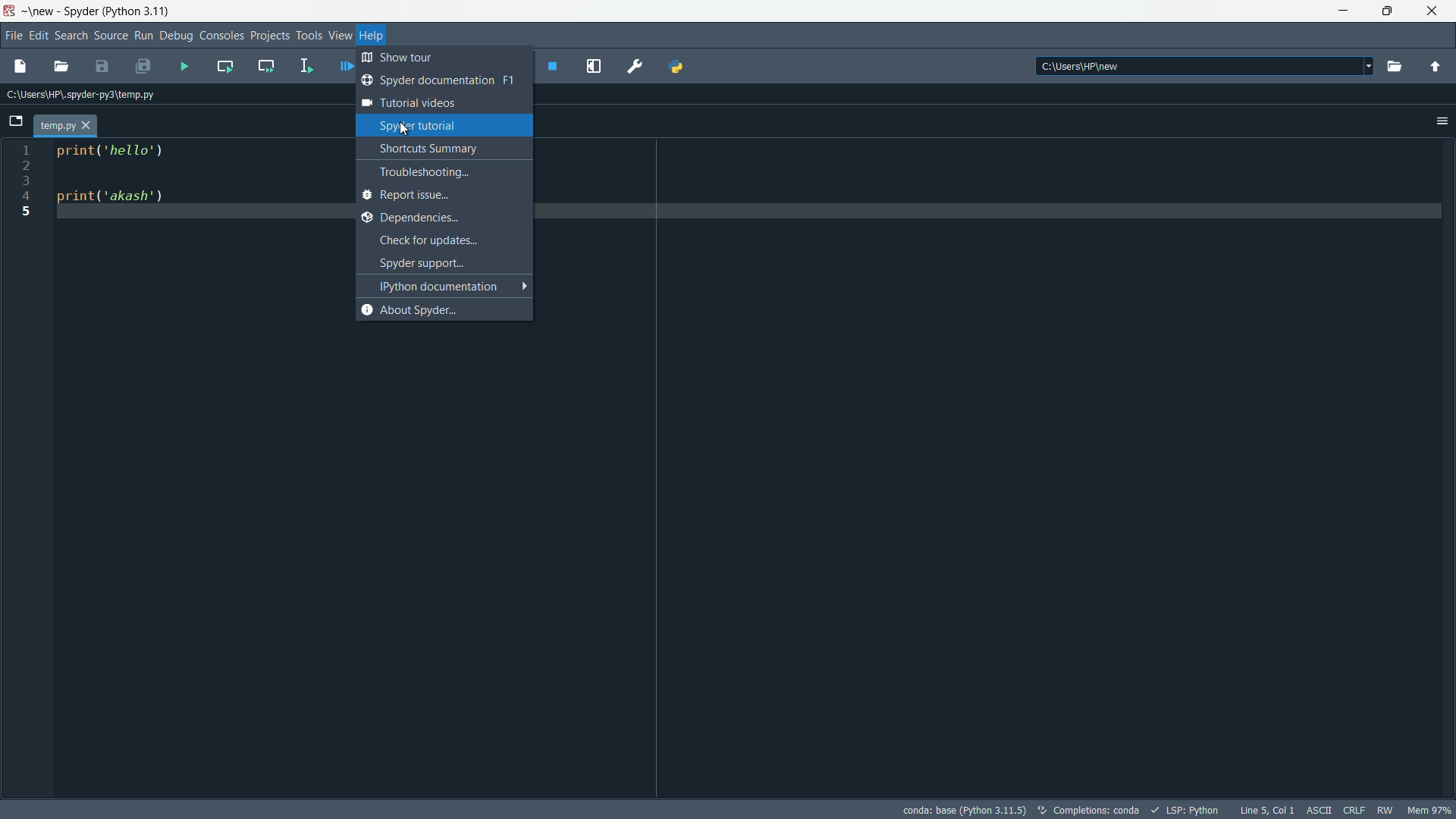 This screenshot has width=1456, height=819. Describe the element at coordinates (343, 36) in the screenshot. I see `view menu` at that location.